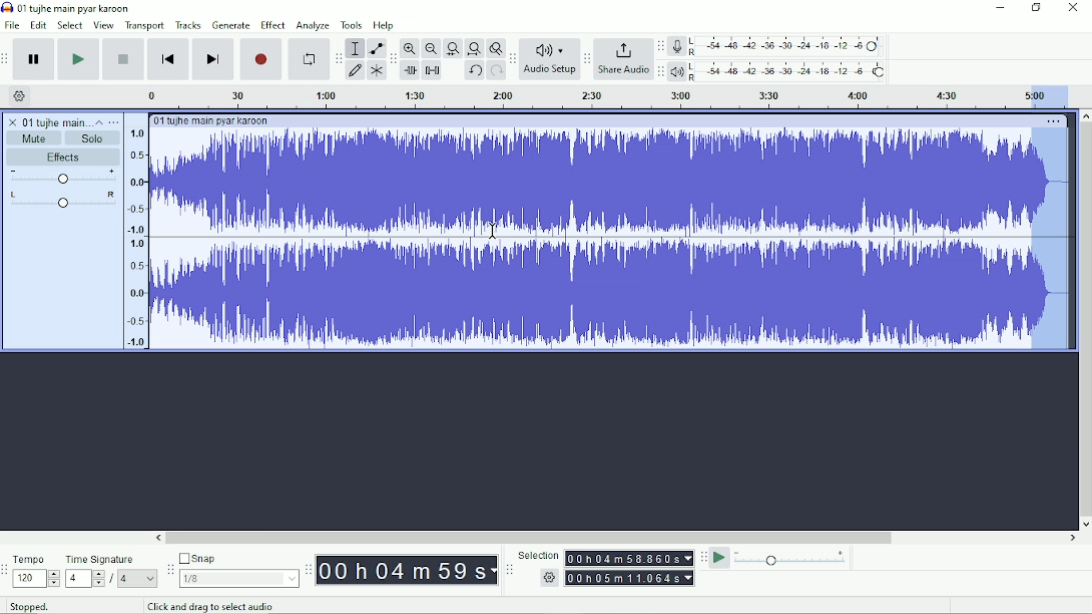  What do you see at coordinates (93, 139) in the screenshot?
I see `Solo` at bounding box center [93, 139].